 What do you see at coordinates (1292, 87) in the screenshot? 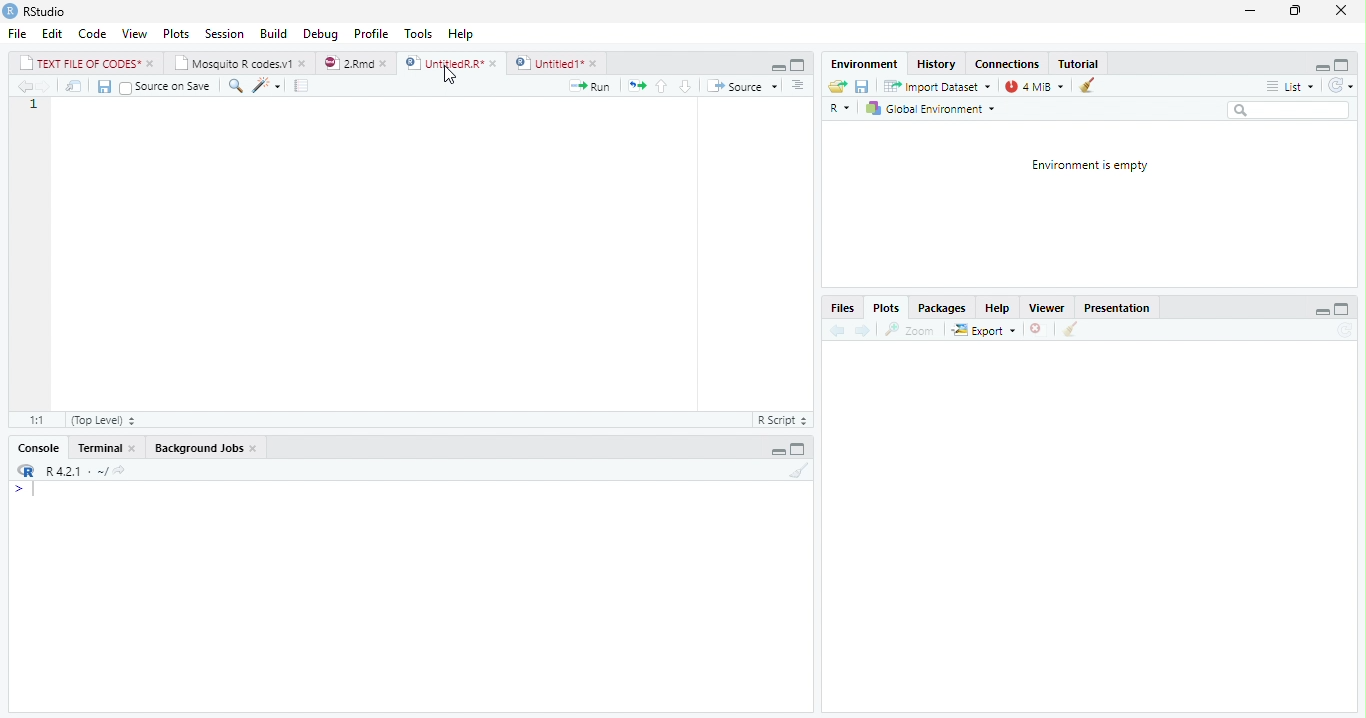
I see `= List` at bounding box center [1292, 87].